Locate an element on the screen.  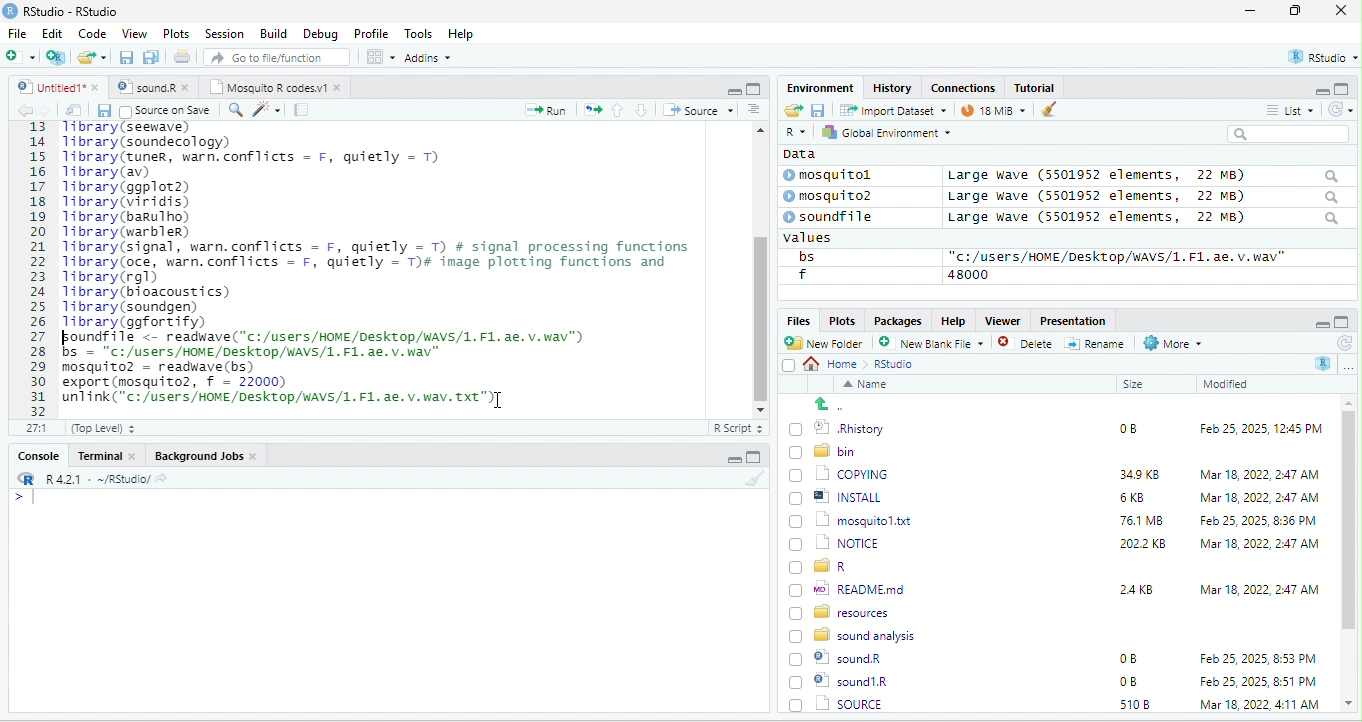
Feb 25, 2025, 8:51 PM is located at coordinates (1259, 659).